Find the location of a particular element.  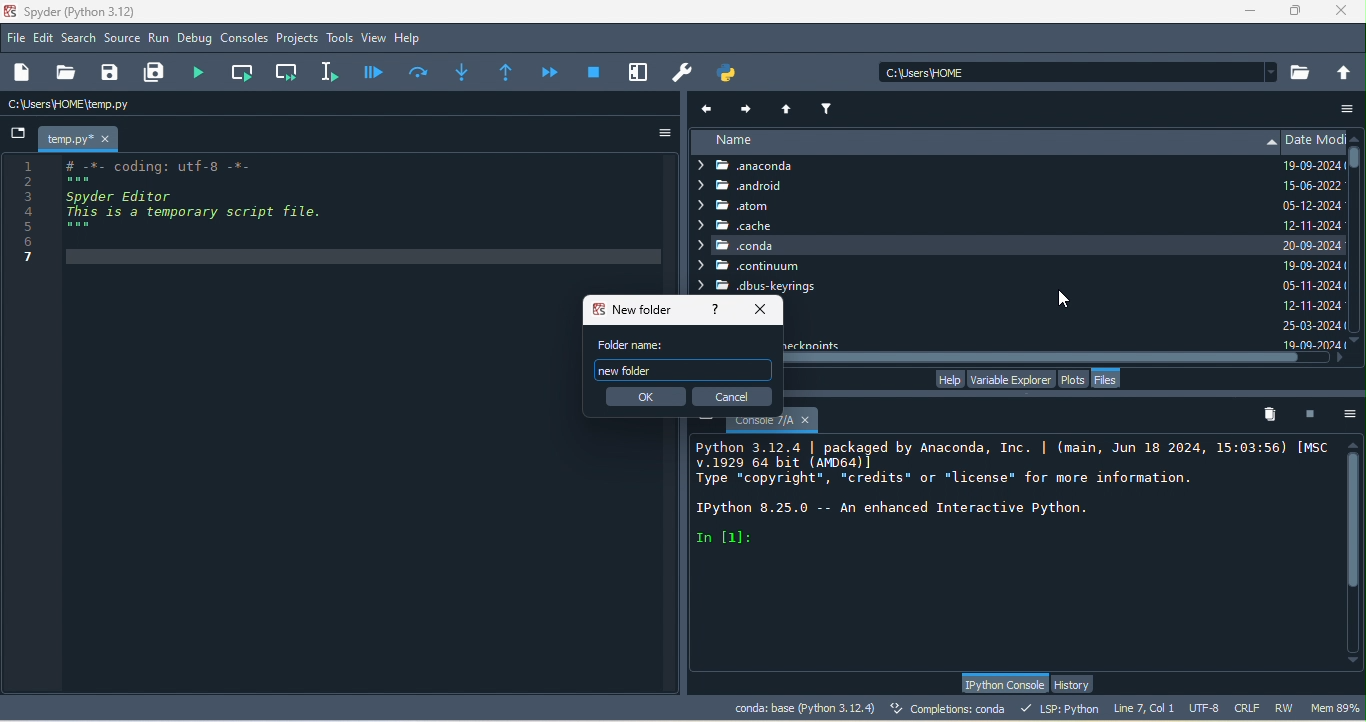

coding is located at coordinates (182, 212).